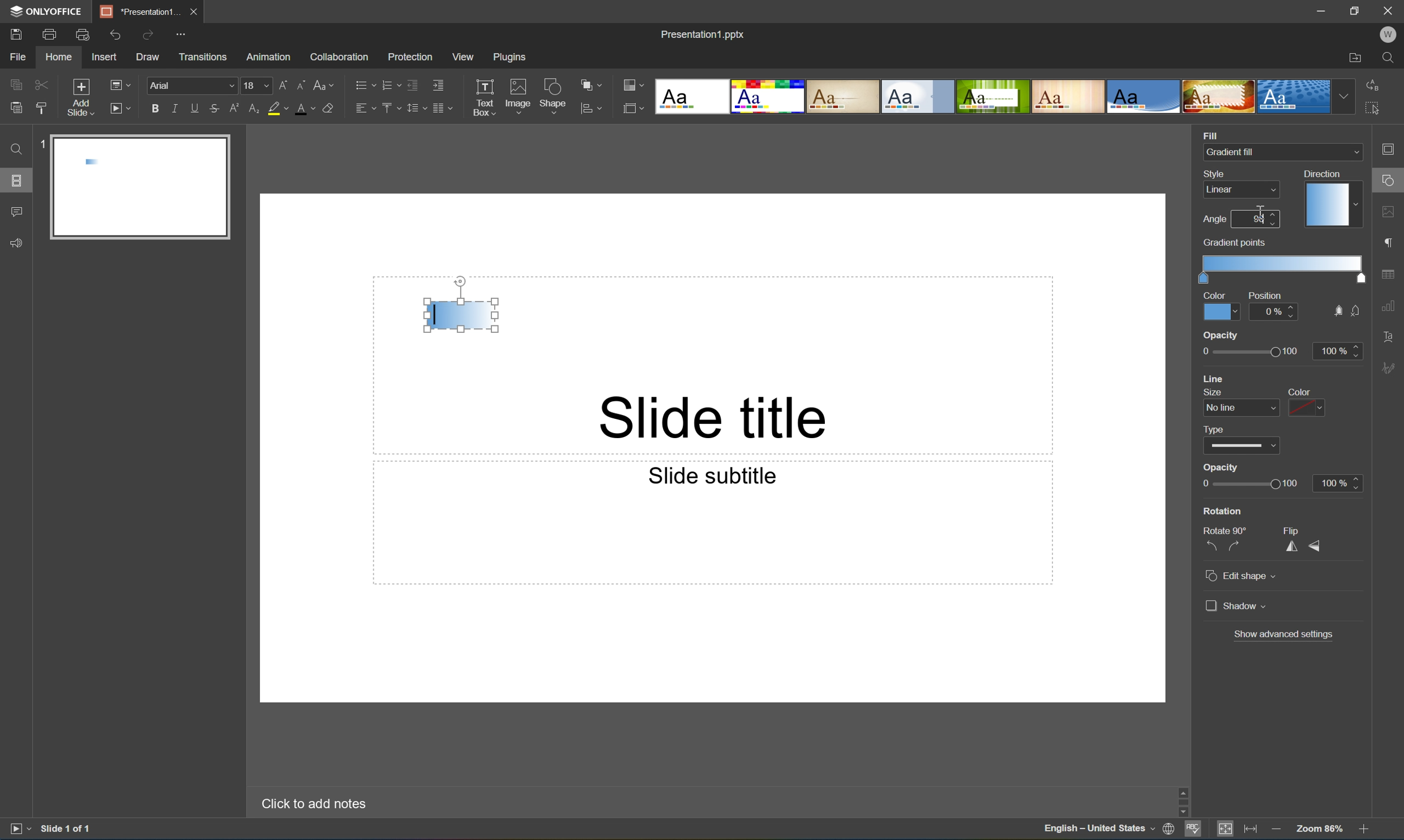  What do you see at coordinates (415, 108) in the screenshot?
I see `Line spacing` at bounding box center [415, 108].